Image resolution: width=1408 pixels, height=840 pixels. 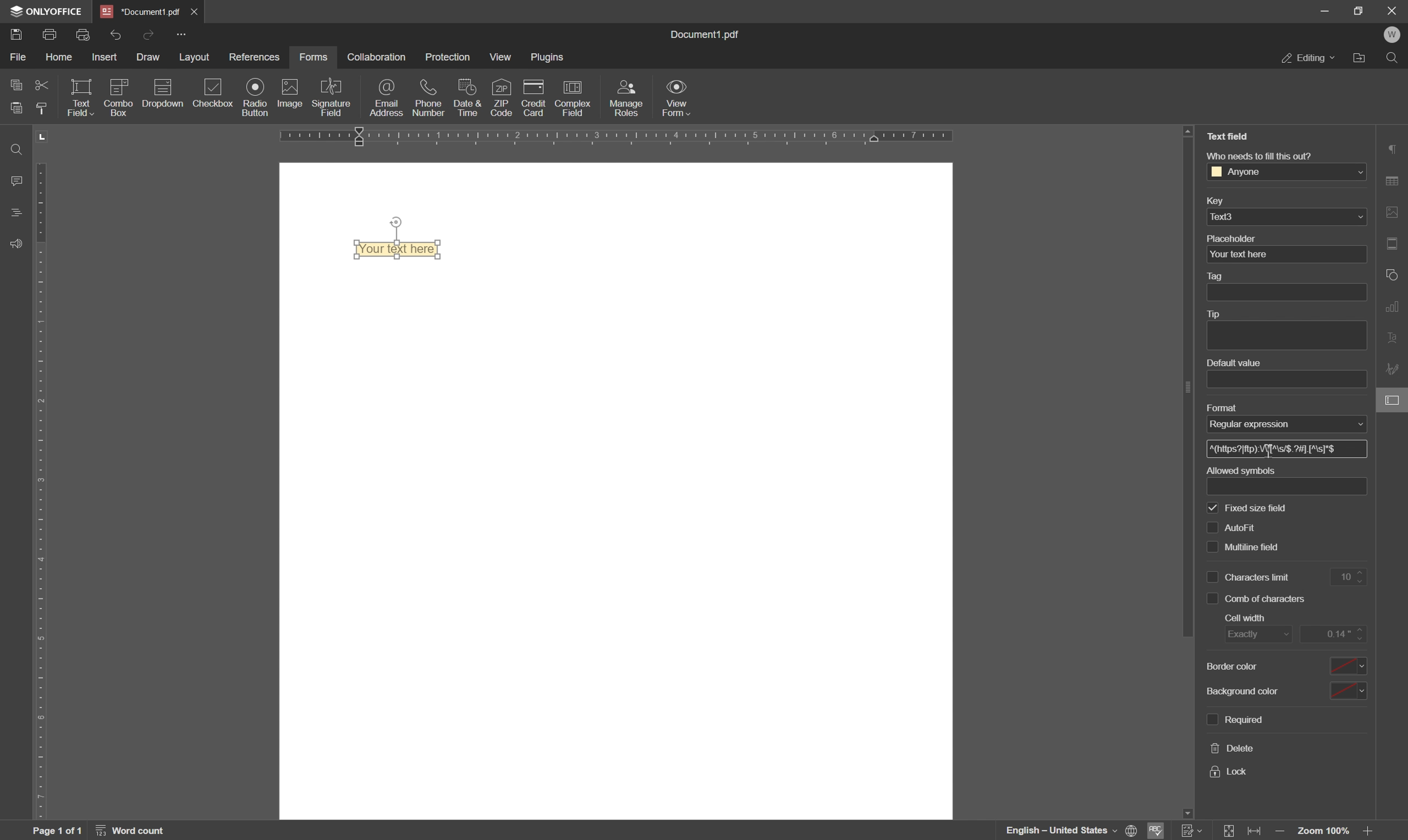 I want to click on checkbox, so click(x=1210, y=526).